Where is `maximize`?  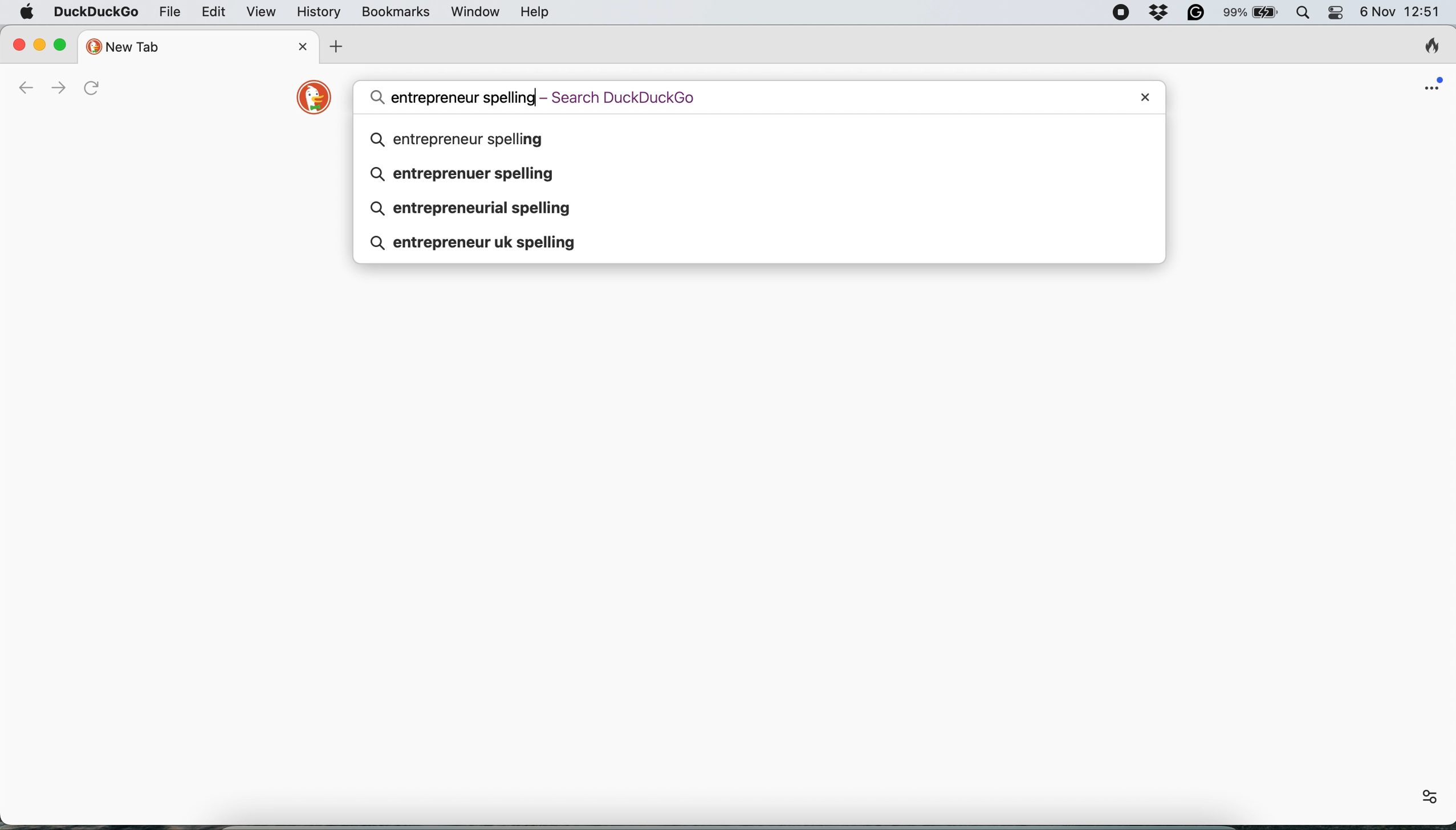
maximize is located at coordinates (64, 44).